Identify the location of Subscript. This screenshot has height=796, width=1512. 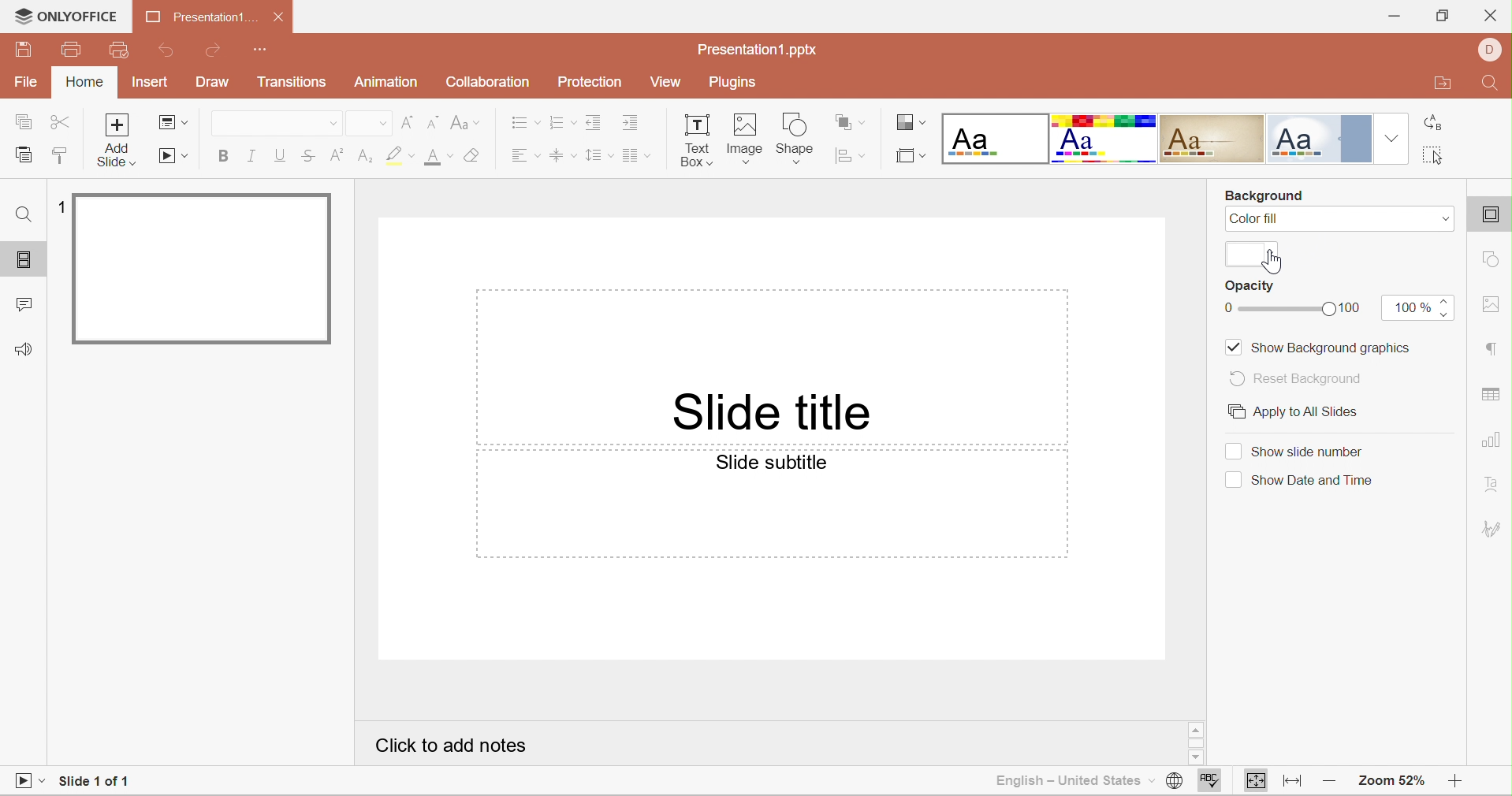
(367, 158).